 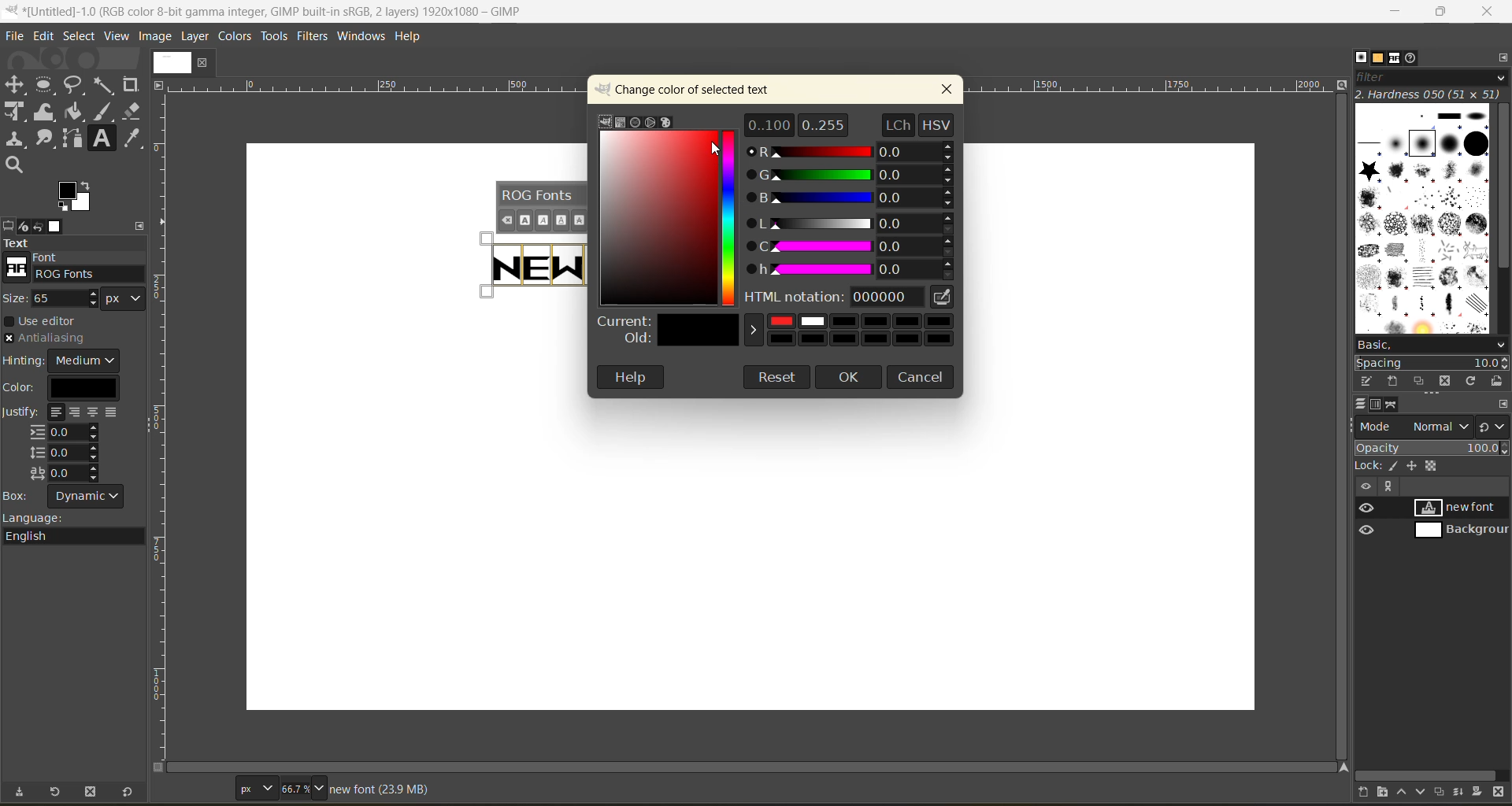 What do you see at coordinates (1397, 12) in the screenshot?
I see `minimize` at bounding box center [1397, 12].